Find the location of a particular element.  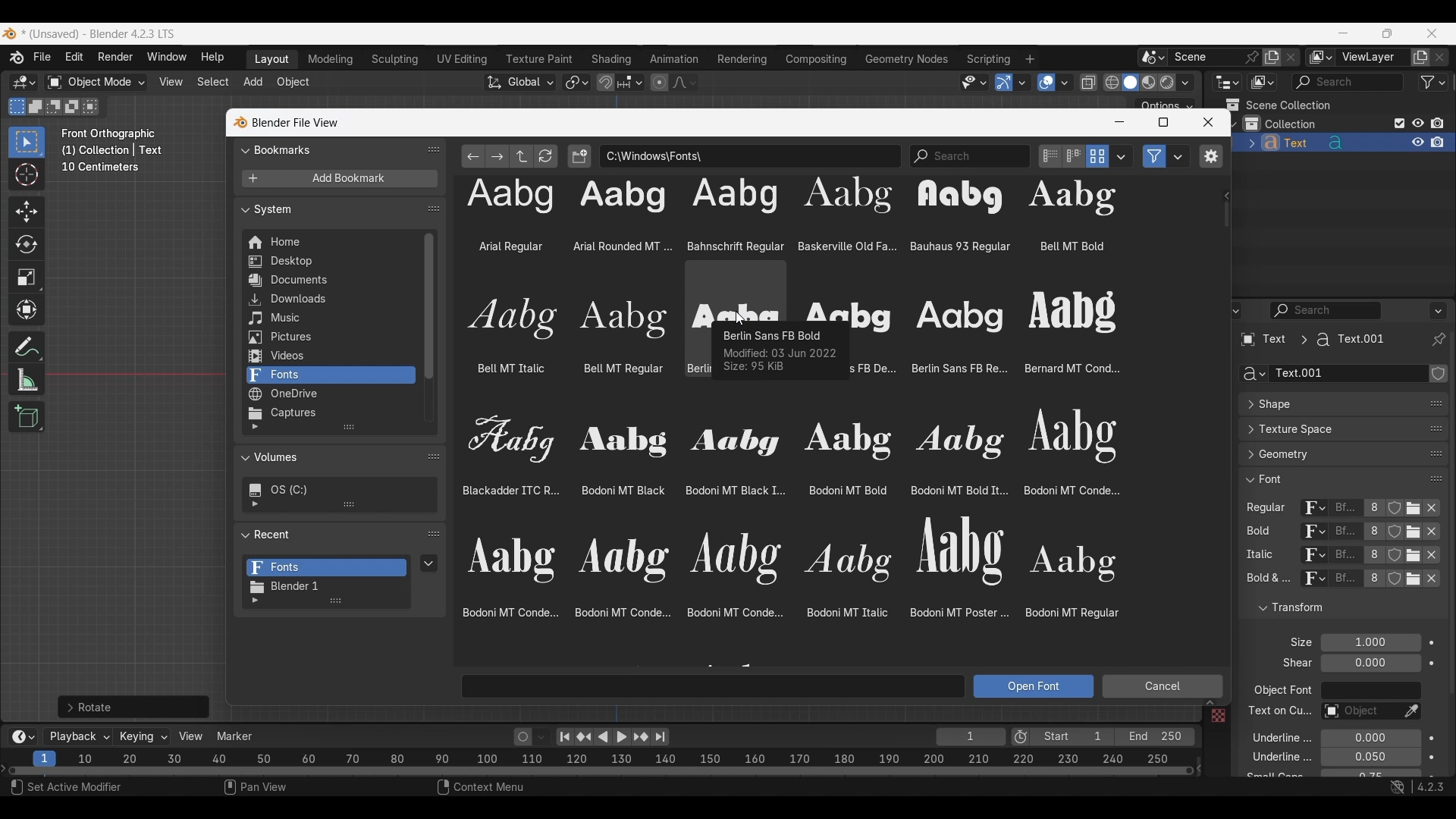

Select editor type/3D Viewport, current selection is located at coordinates (24, 82).